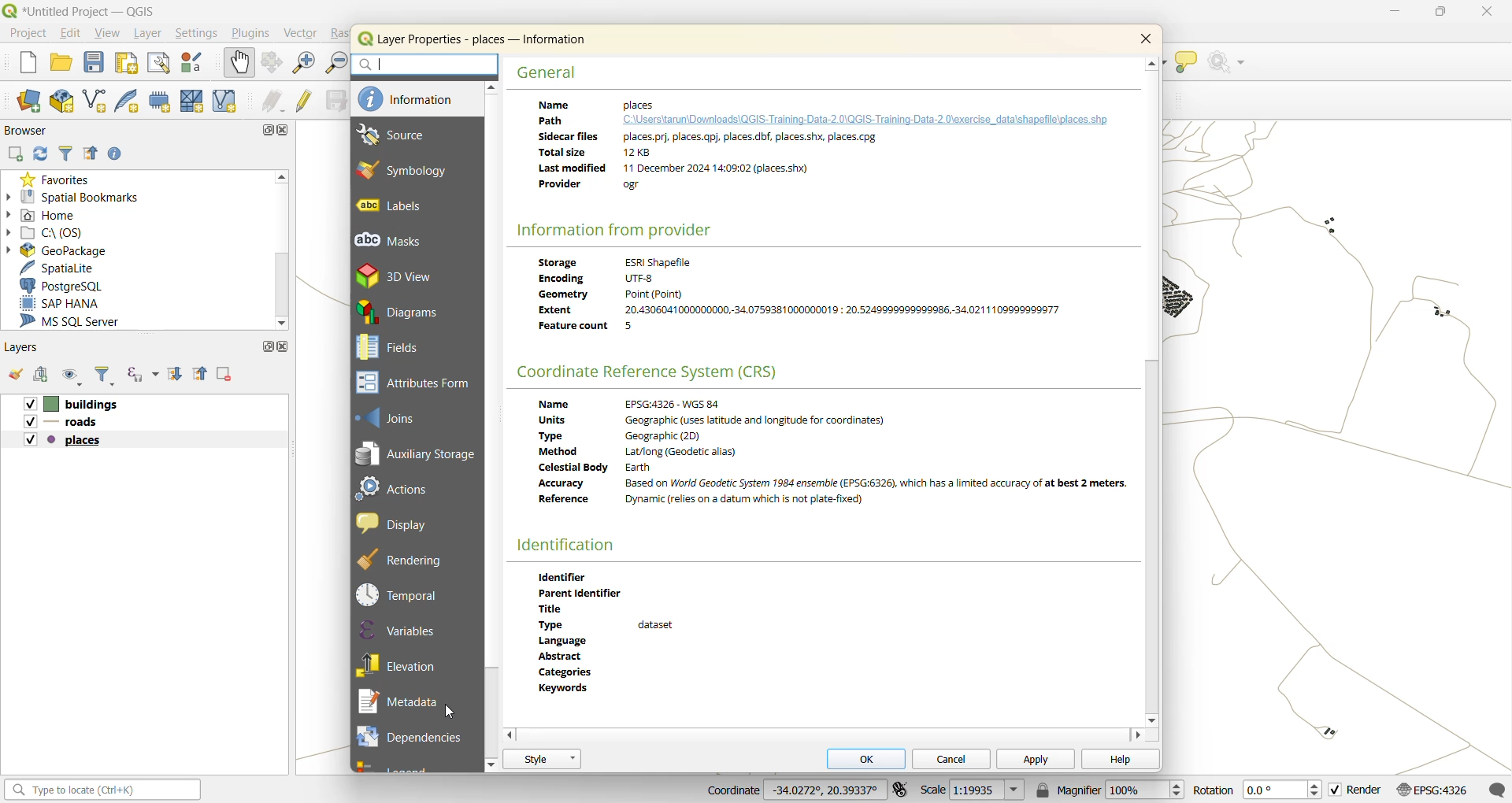  Describe the element at coordinates (1401, 11) in the screenshot. I see `minimize` at that location.